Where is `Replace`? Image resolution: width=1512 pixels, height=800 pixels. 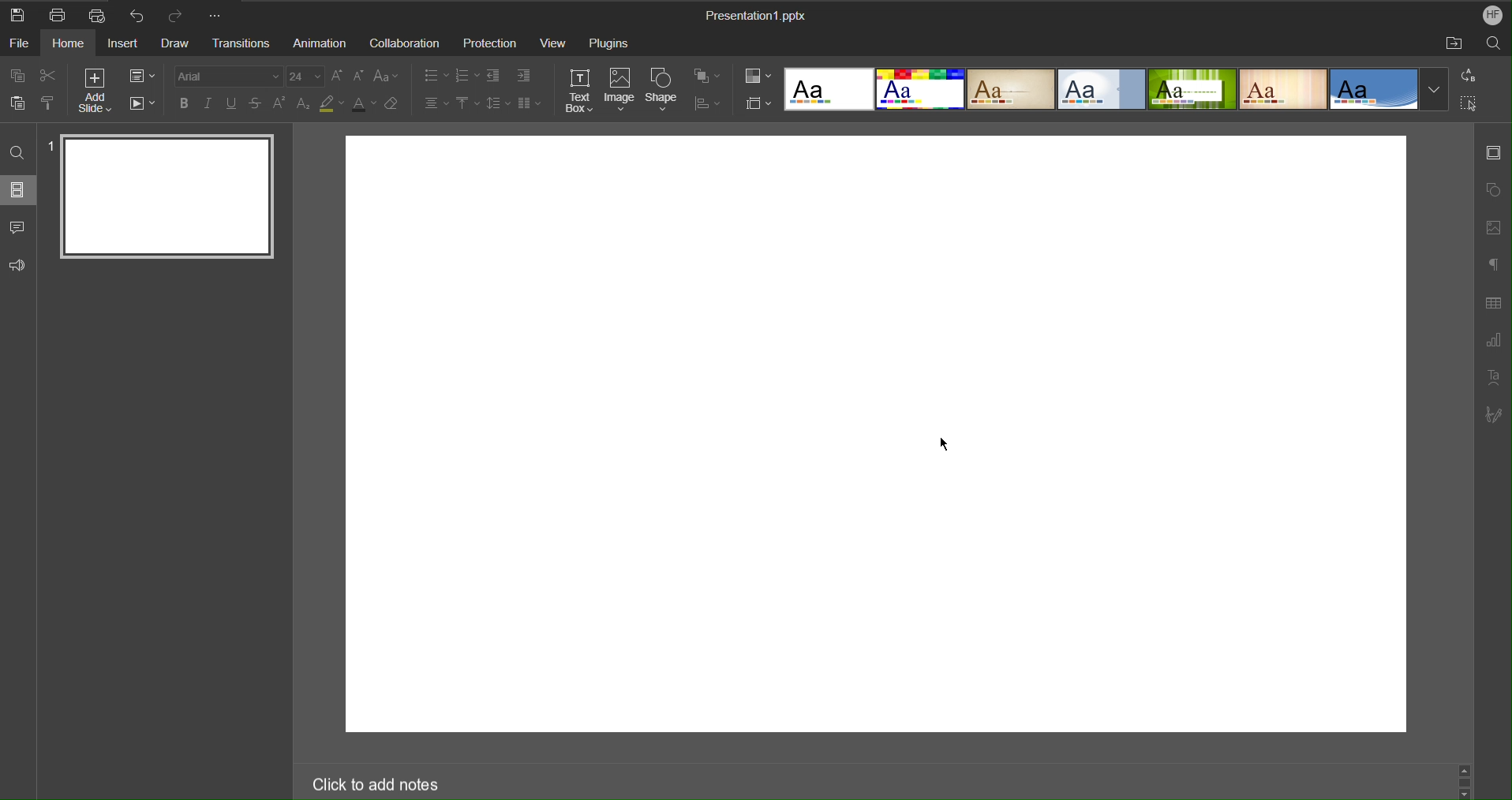
Replace is located at coordinates (1466, 76).